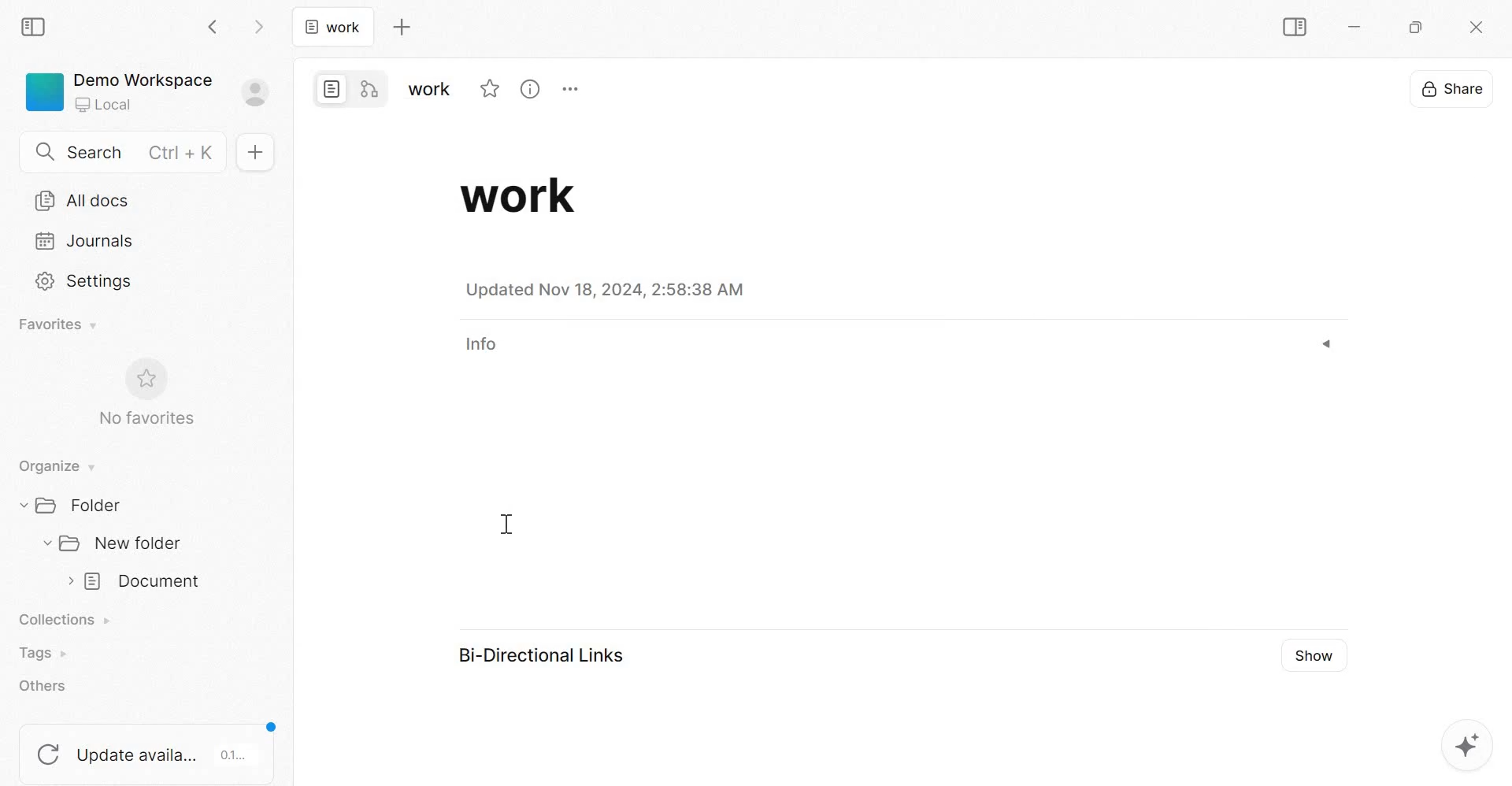 This screenshot has height=786, width=1512. I want to click on work, so click(525, 195).